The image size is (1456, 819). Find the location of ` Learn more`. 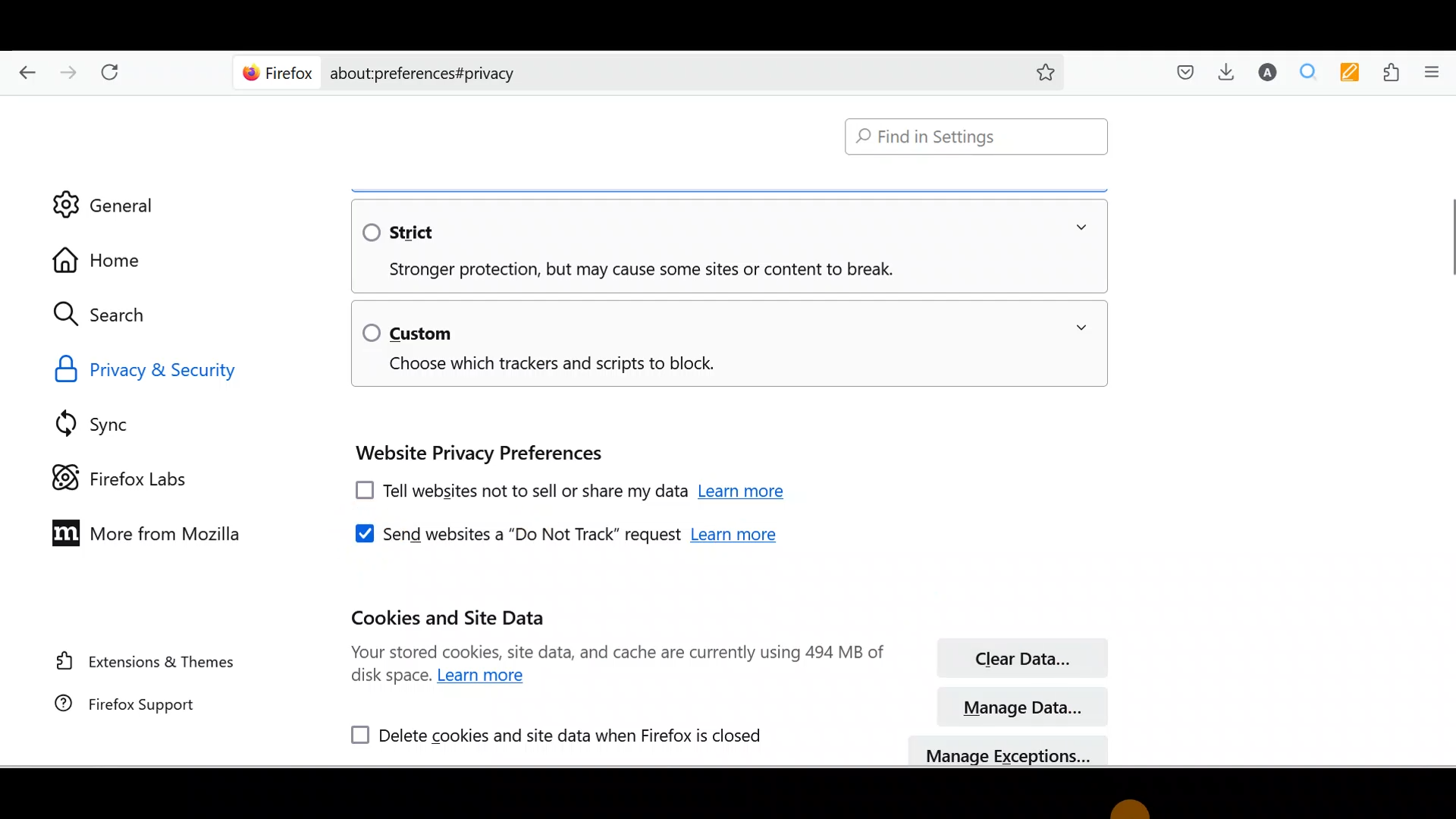

 Learn more is located at coordinates (485, 676).